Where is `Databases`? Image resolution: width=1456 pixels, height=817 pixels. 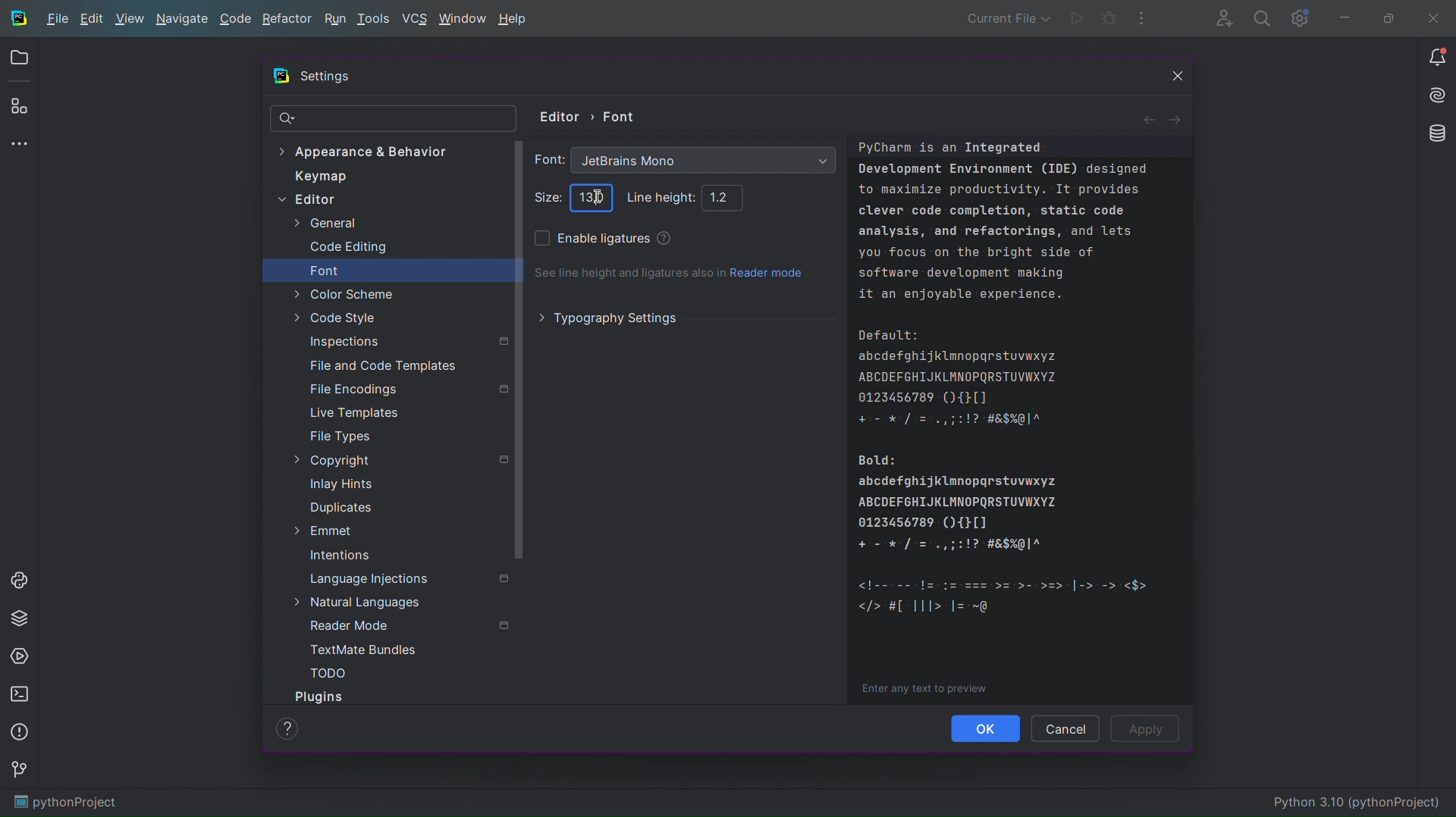 Databases is located at coordinates (1432, 136).